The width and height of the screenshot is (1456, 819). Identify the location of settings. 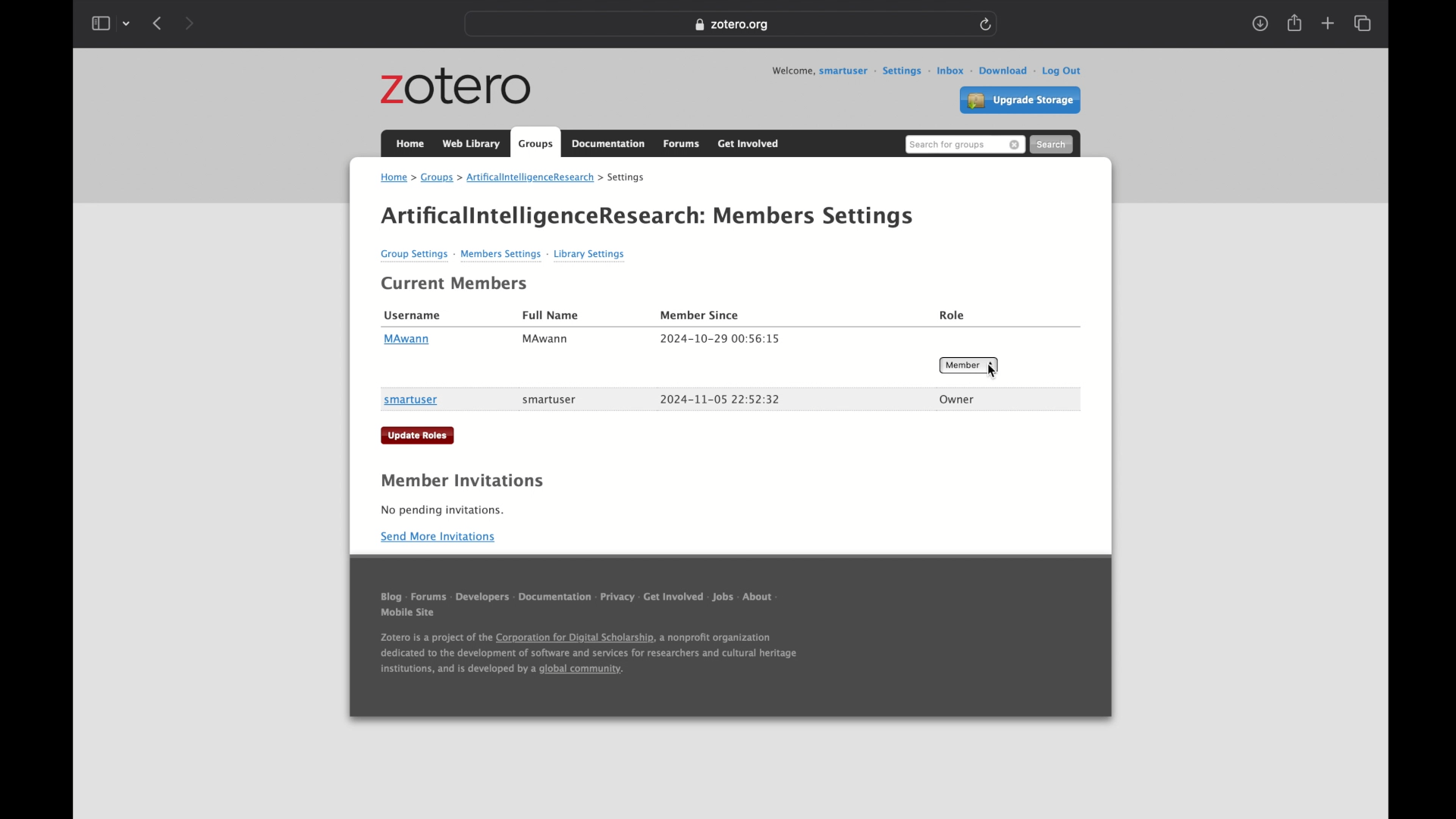
(623, 177).